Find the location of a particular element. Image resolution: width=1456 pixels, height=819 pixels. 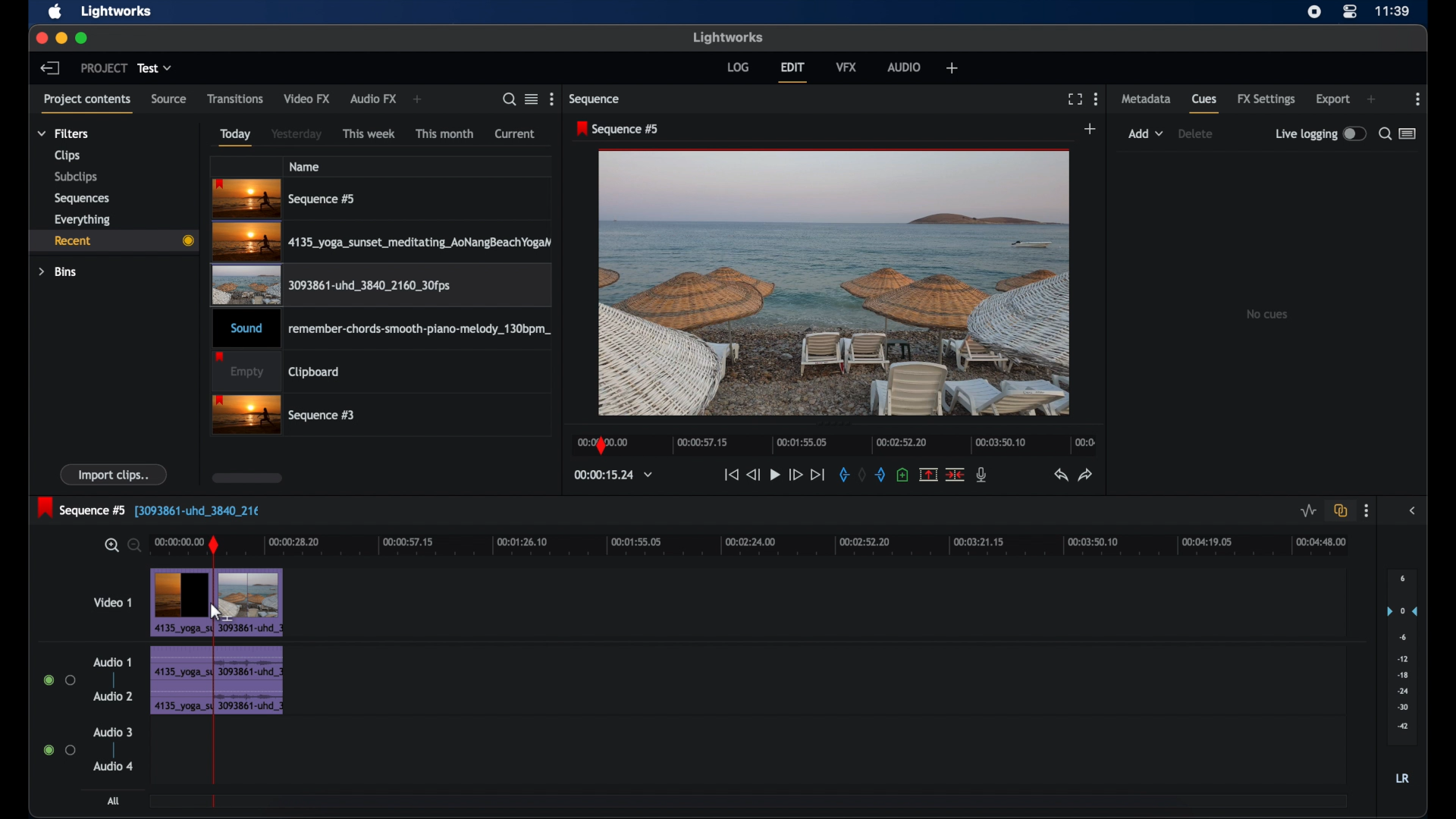

radio buttons is located at coordinates (59, 680).